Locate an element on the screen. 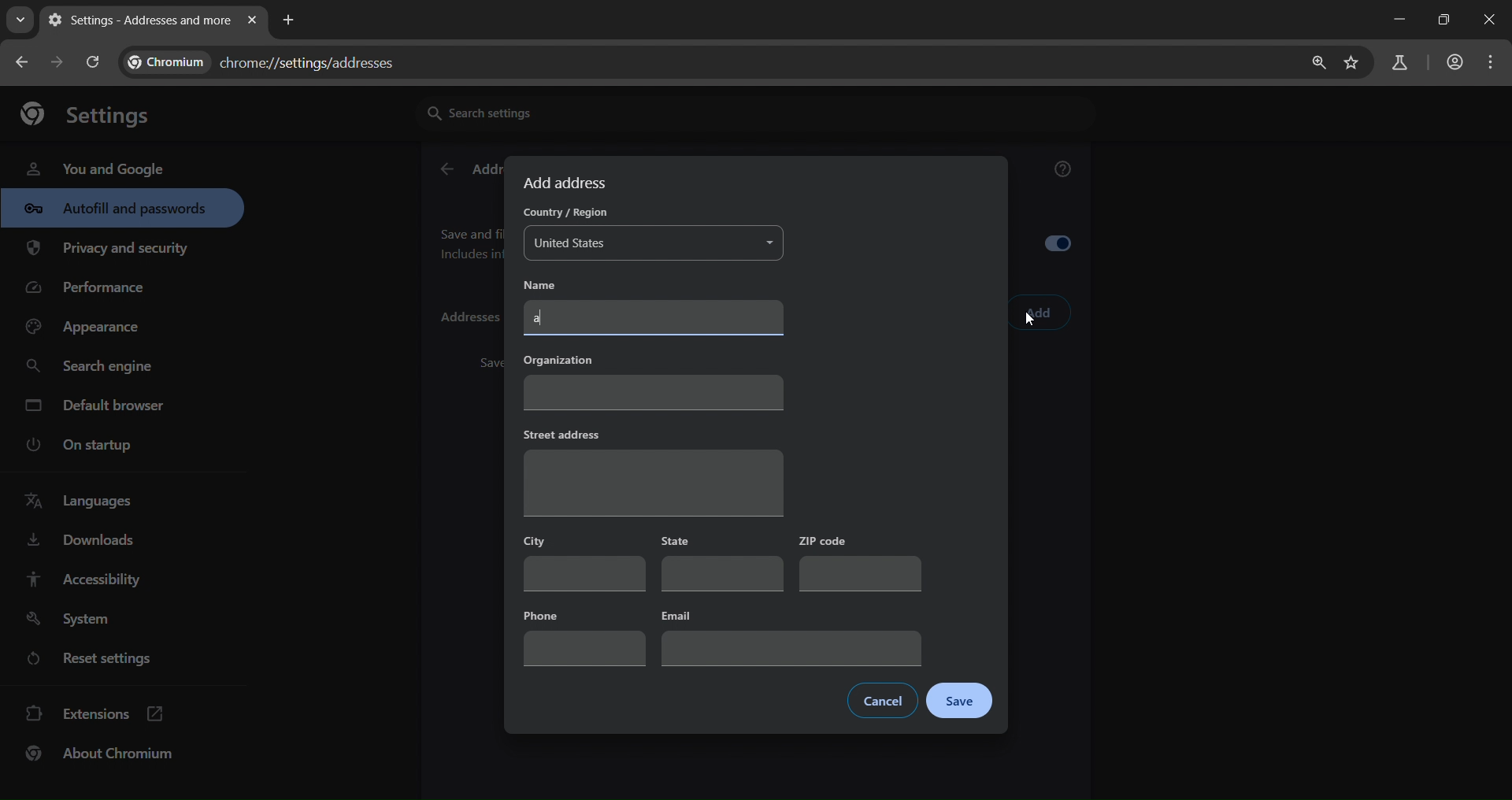  you and google  is located at coordinates (94, 167).